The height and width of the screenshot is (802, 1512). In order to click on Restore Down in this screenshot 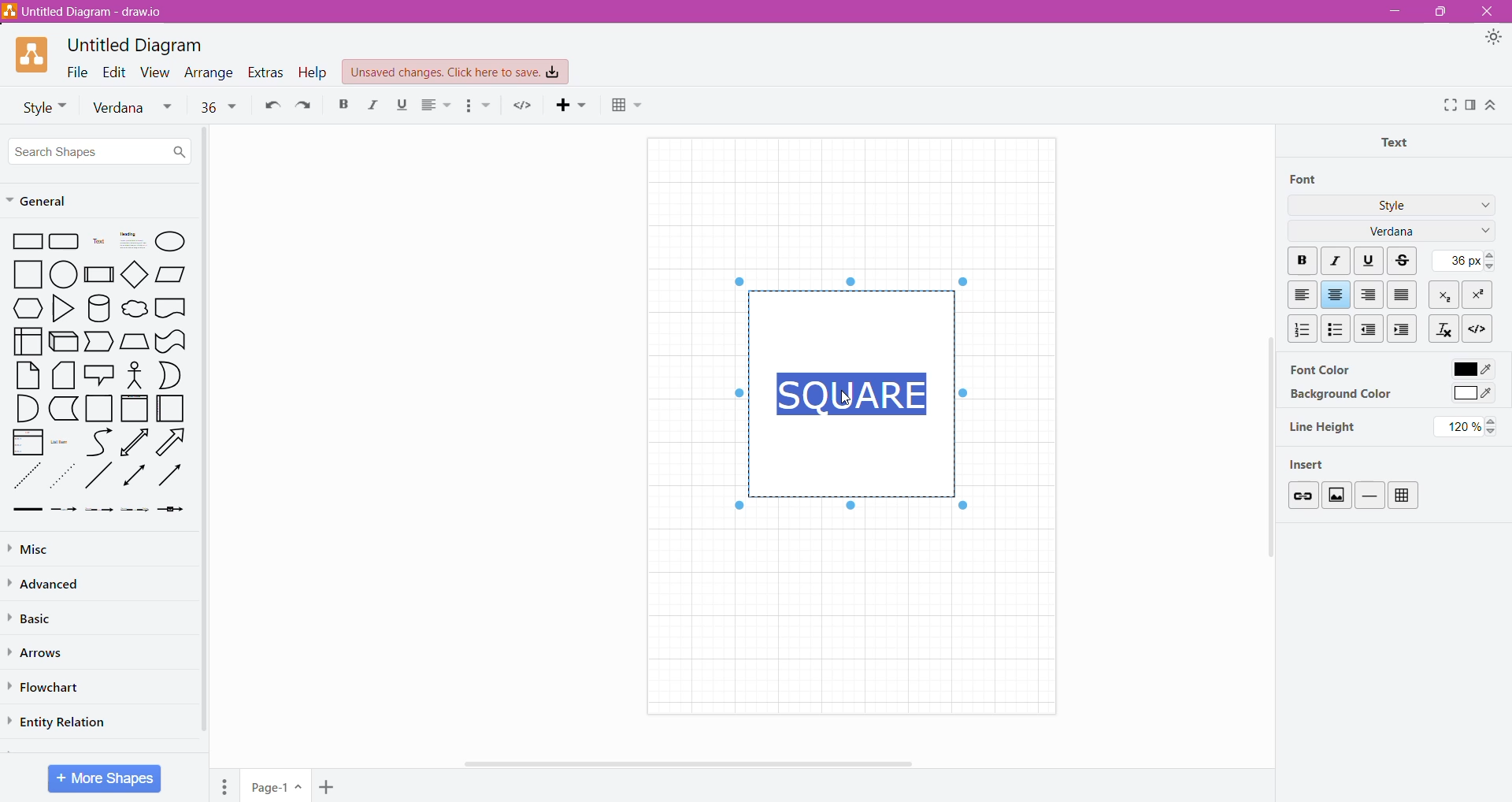, I will do `click(1437, 13)`.